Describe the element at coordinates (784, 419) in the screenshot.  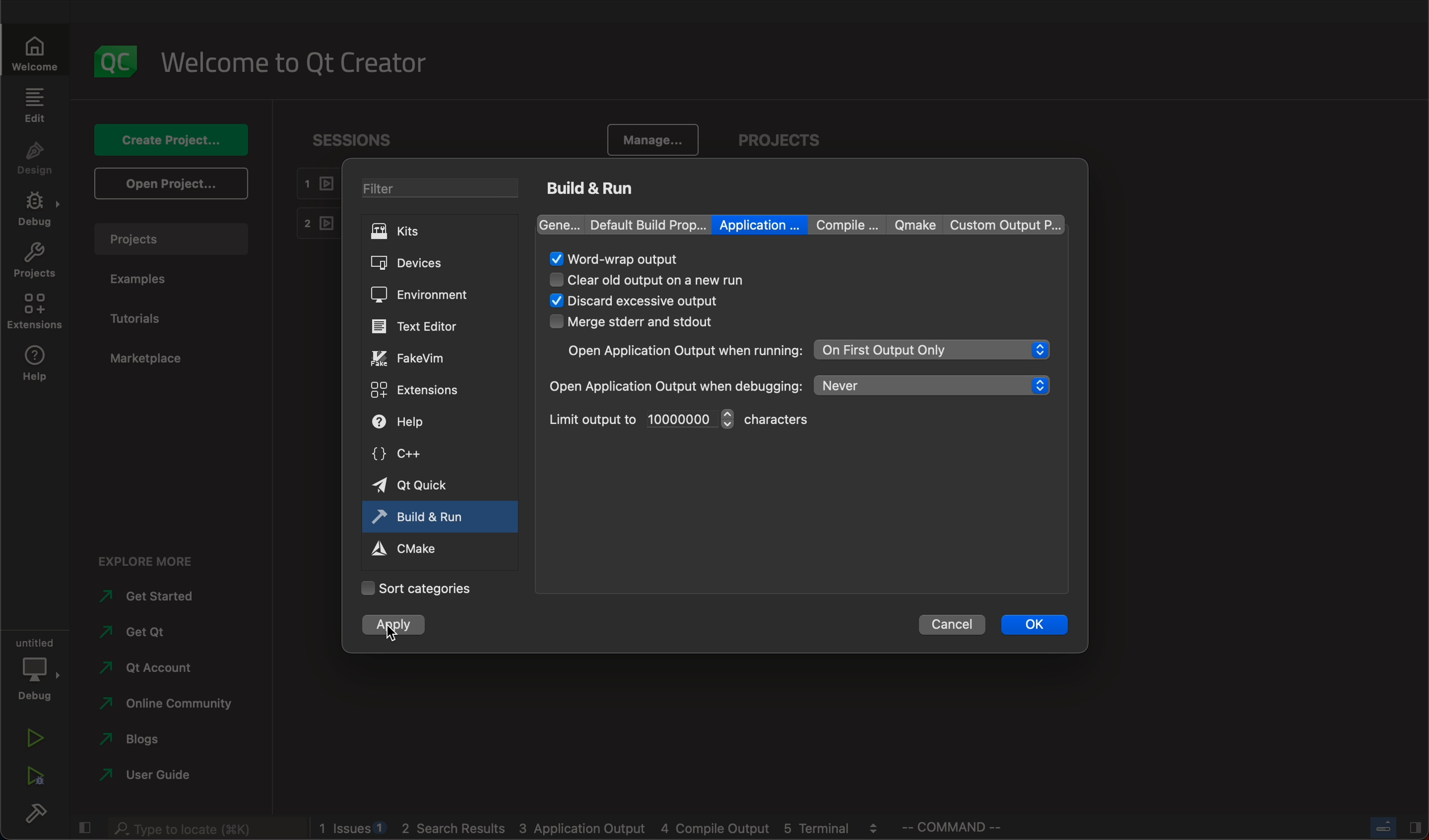
I see `character` at that location.